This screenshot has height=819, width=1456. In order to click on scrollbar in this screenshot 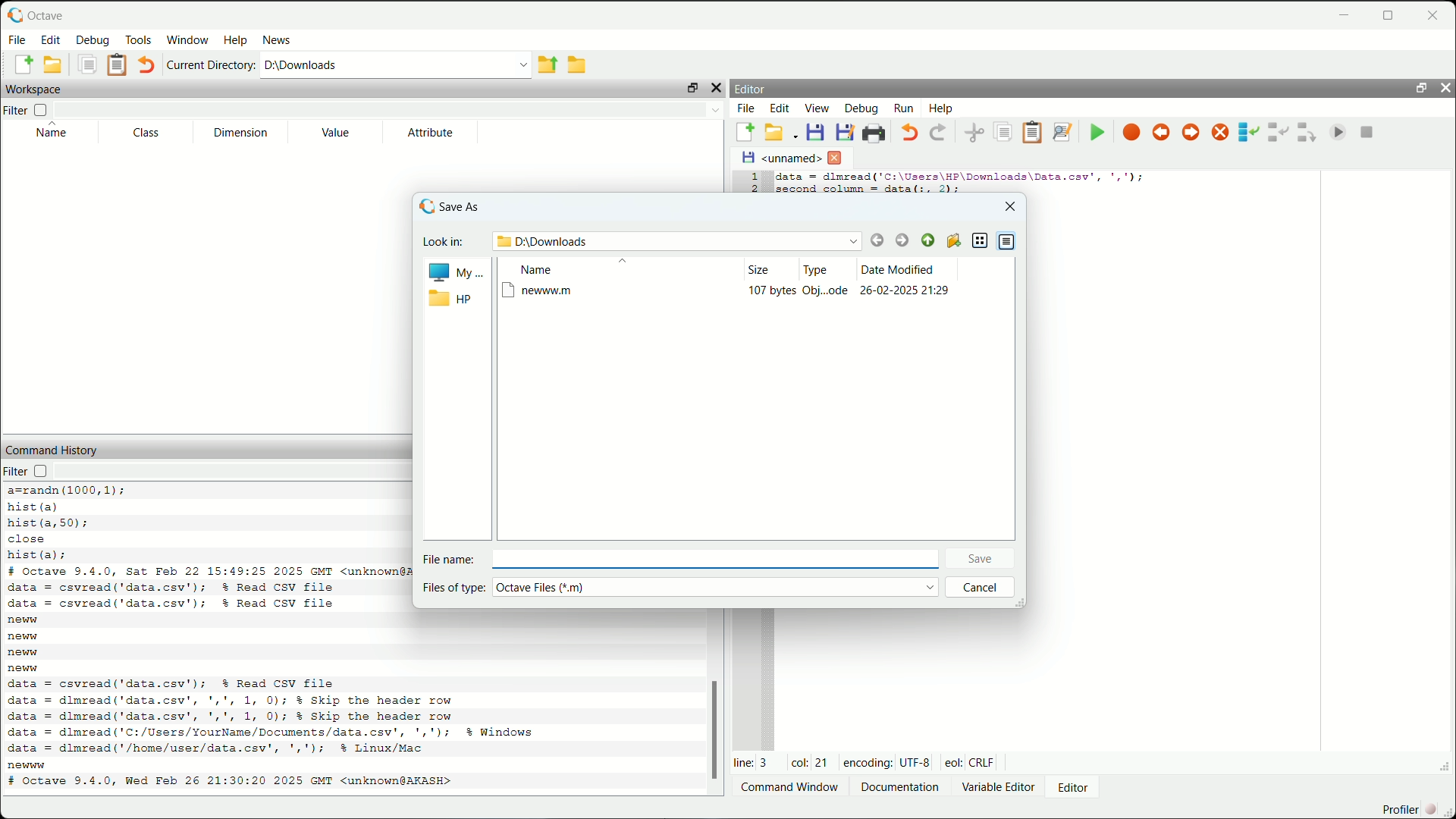, I will do `click(709, 727)`.